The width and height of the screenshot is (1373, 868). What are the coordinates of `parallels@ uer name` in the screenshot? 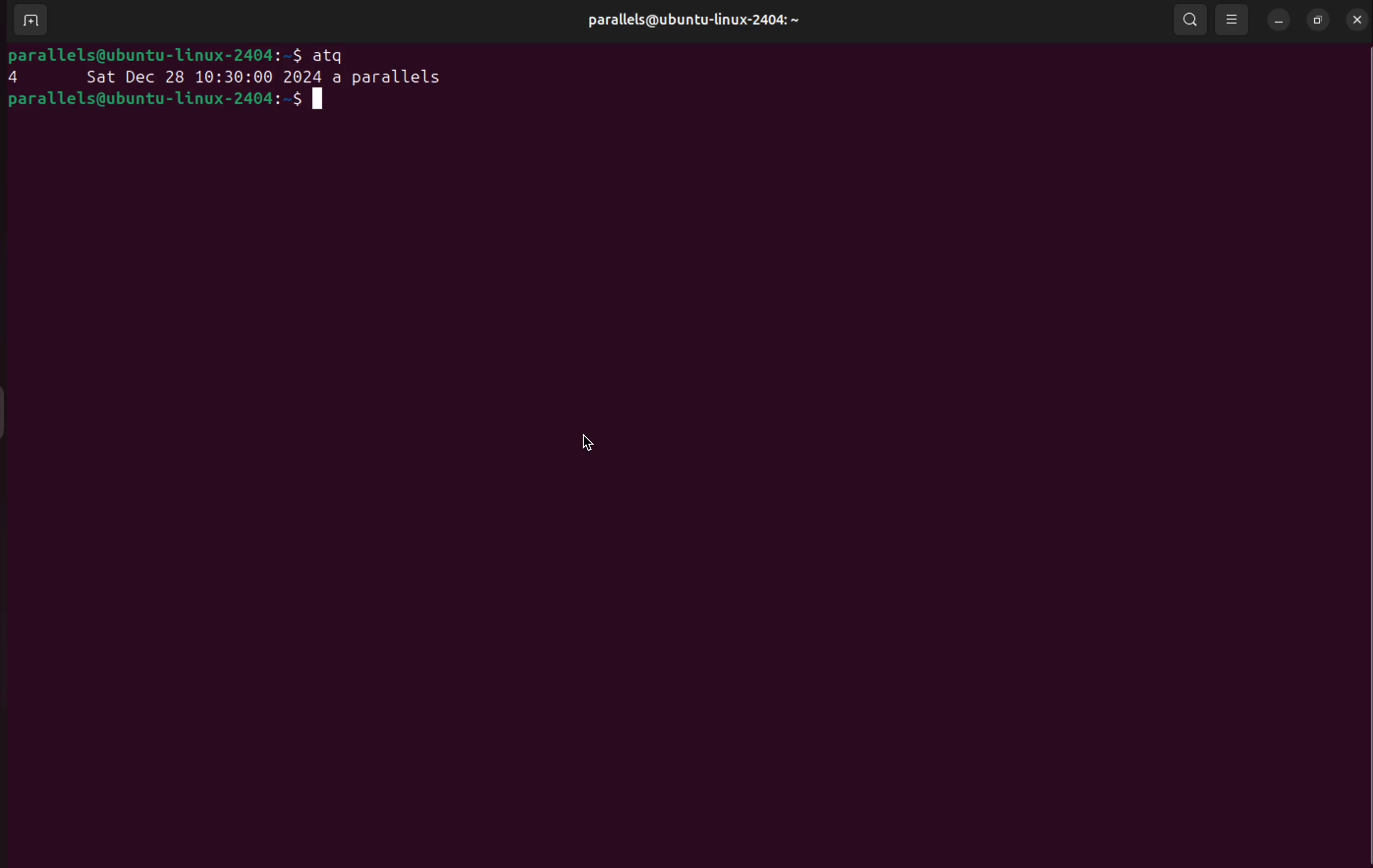 It's located at (703, 22).